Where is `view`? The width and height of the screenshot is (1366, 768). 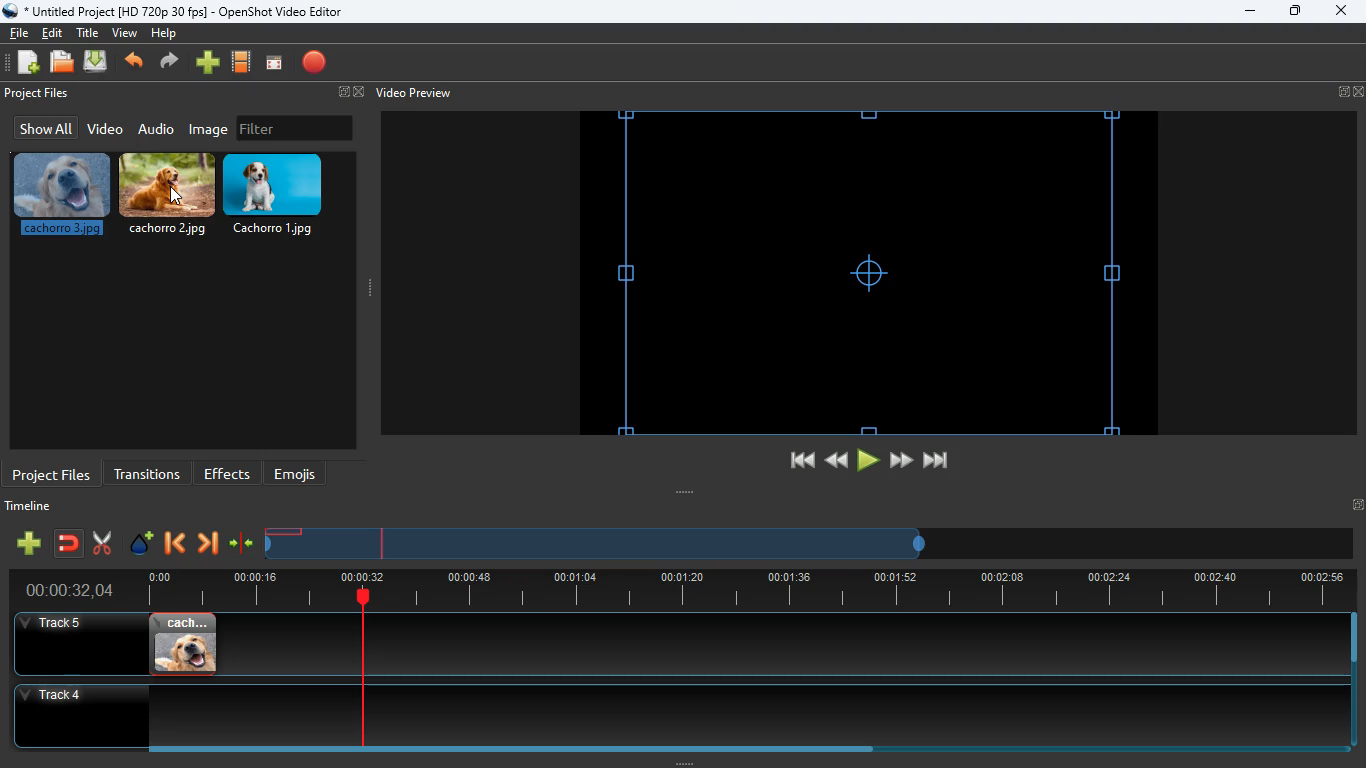 view is located at coordinates (126, 33).